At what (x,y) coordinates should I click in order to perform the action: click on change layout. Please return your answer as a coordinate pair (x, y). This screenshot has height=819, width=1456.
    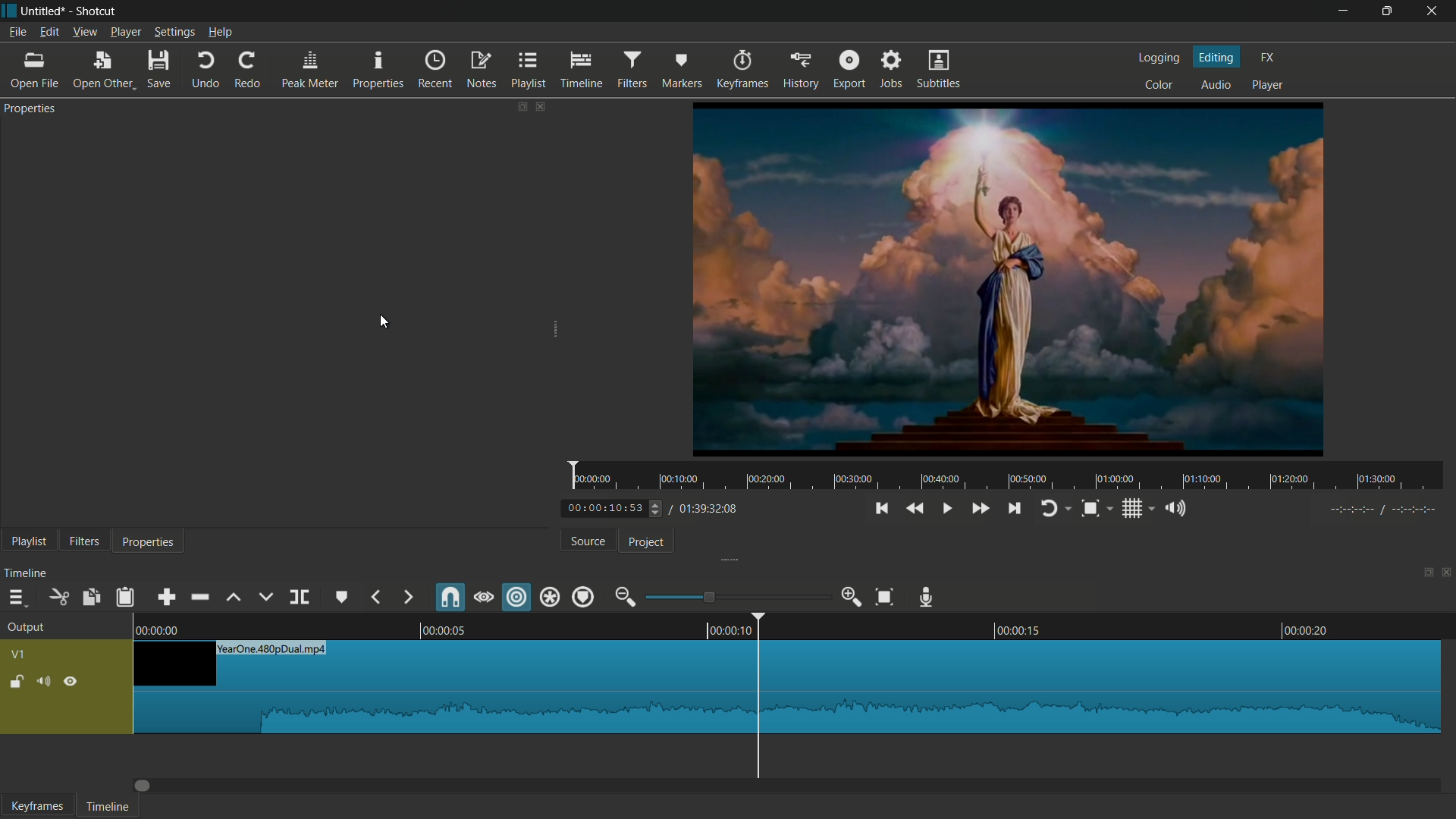
    Looking at the image, I should click on (522, 107).